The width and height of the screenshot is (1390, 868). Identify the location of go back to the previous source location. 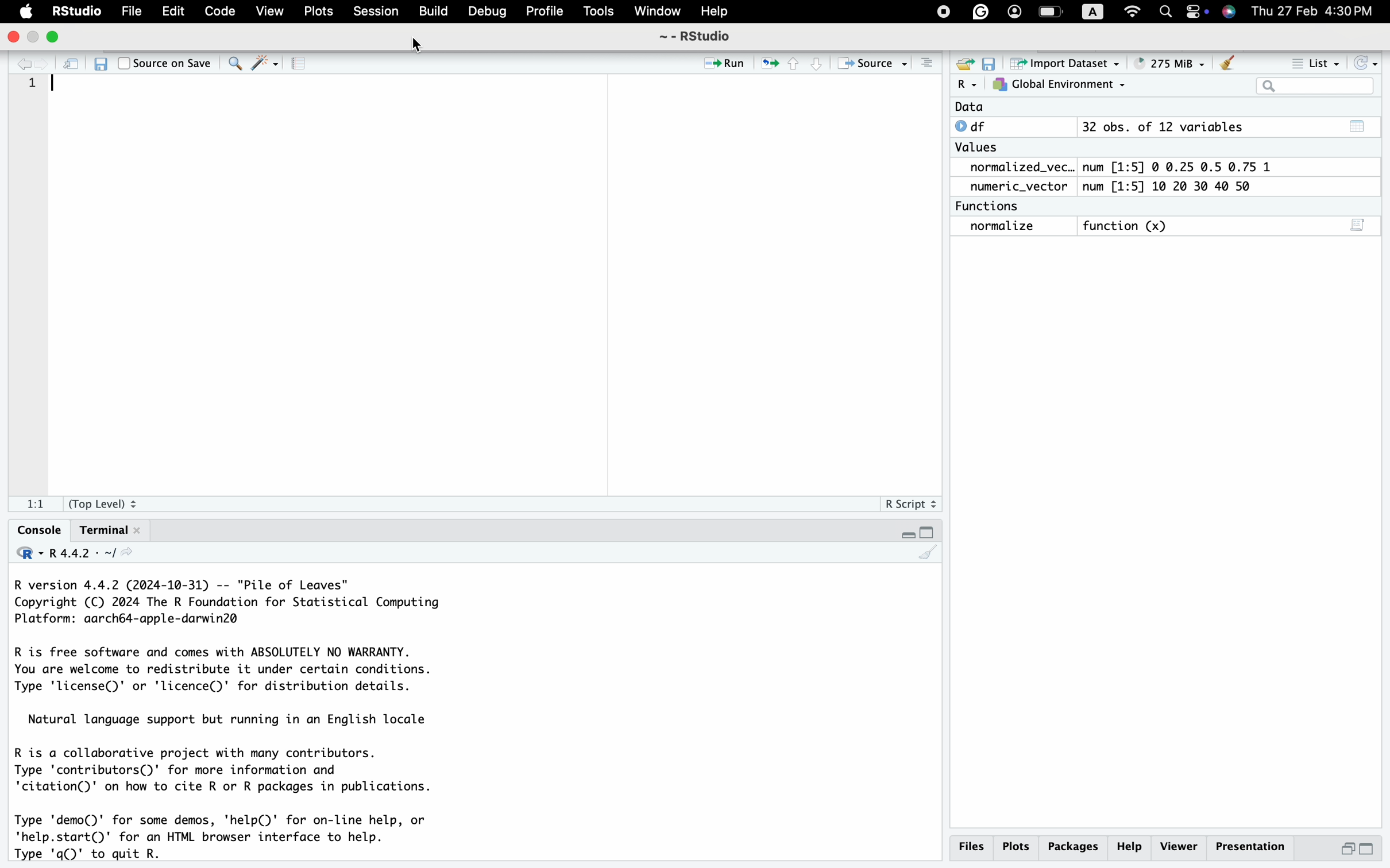
(15, 64).